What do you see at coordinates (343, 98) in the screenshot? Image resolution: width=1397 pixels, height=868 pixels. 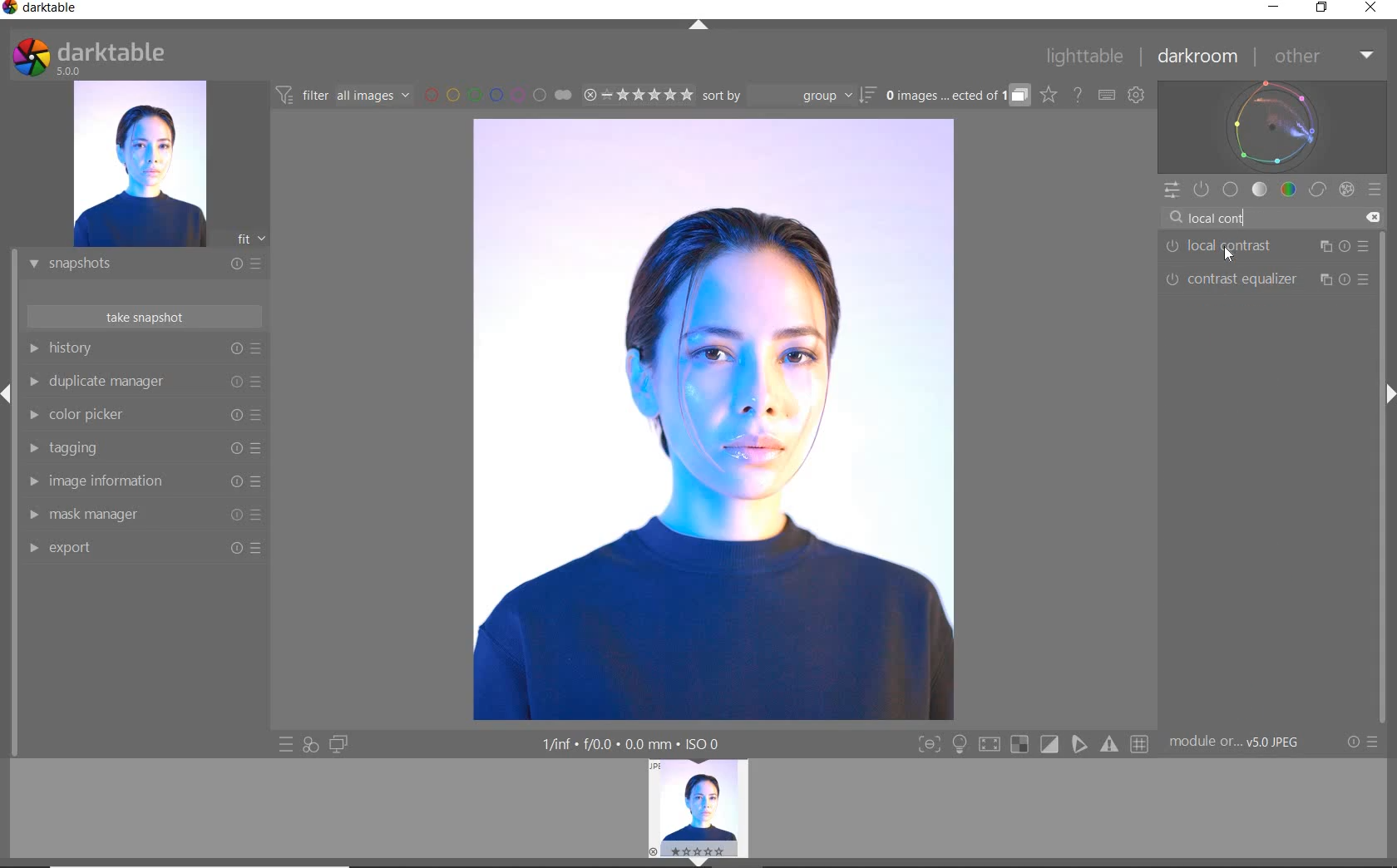 I see `FILTER IMAGES BASED ON THEIR MODULE ORDER` at bounding box center [343, 98].